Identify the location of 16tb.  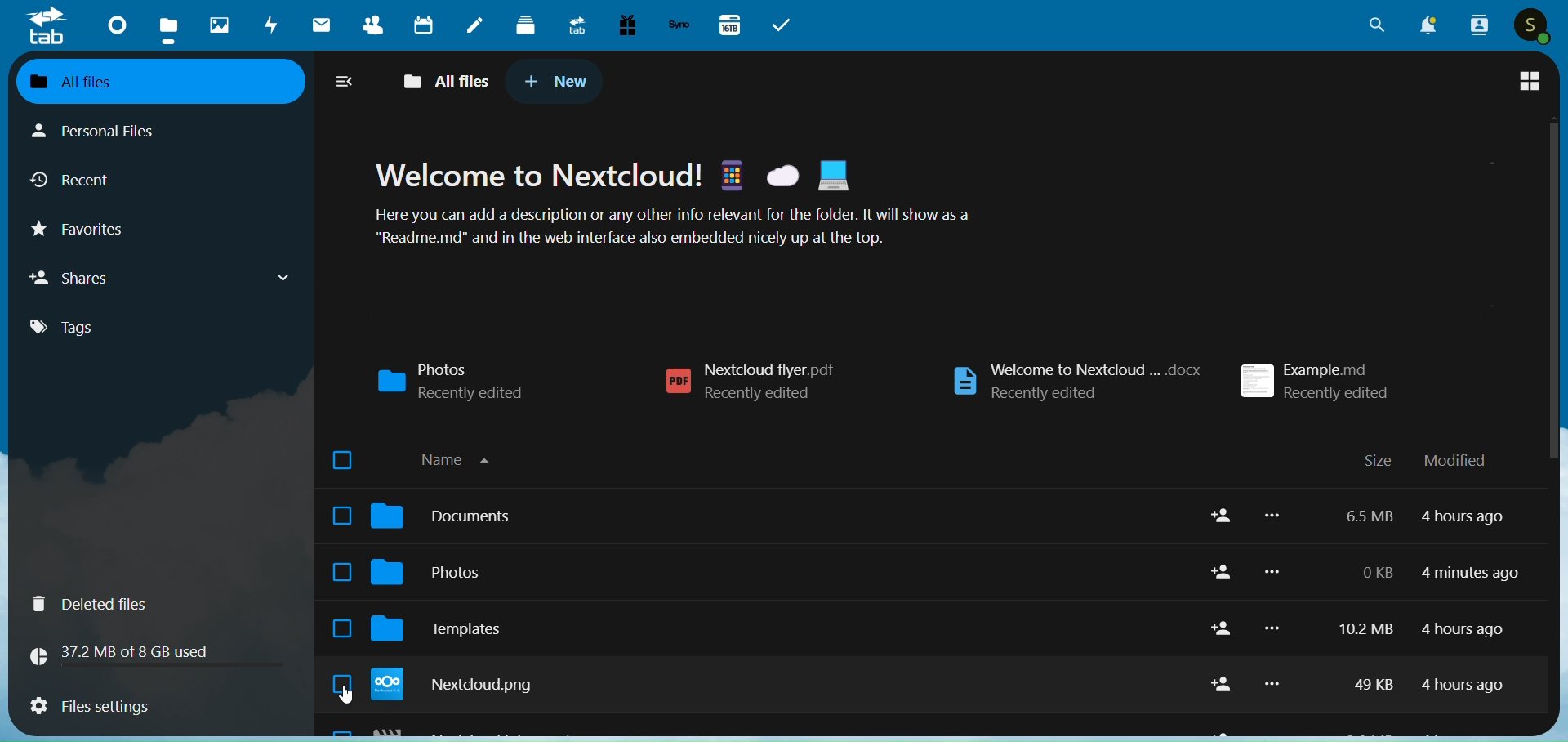
(733, 24).